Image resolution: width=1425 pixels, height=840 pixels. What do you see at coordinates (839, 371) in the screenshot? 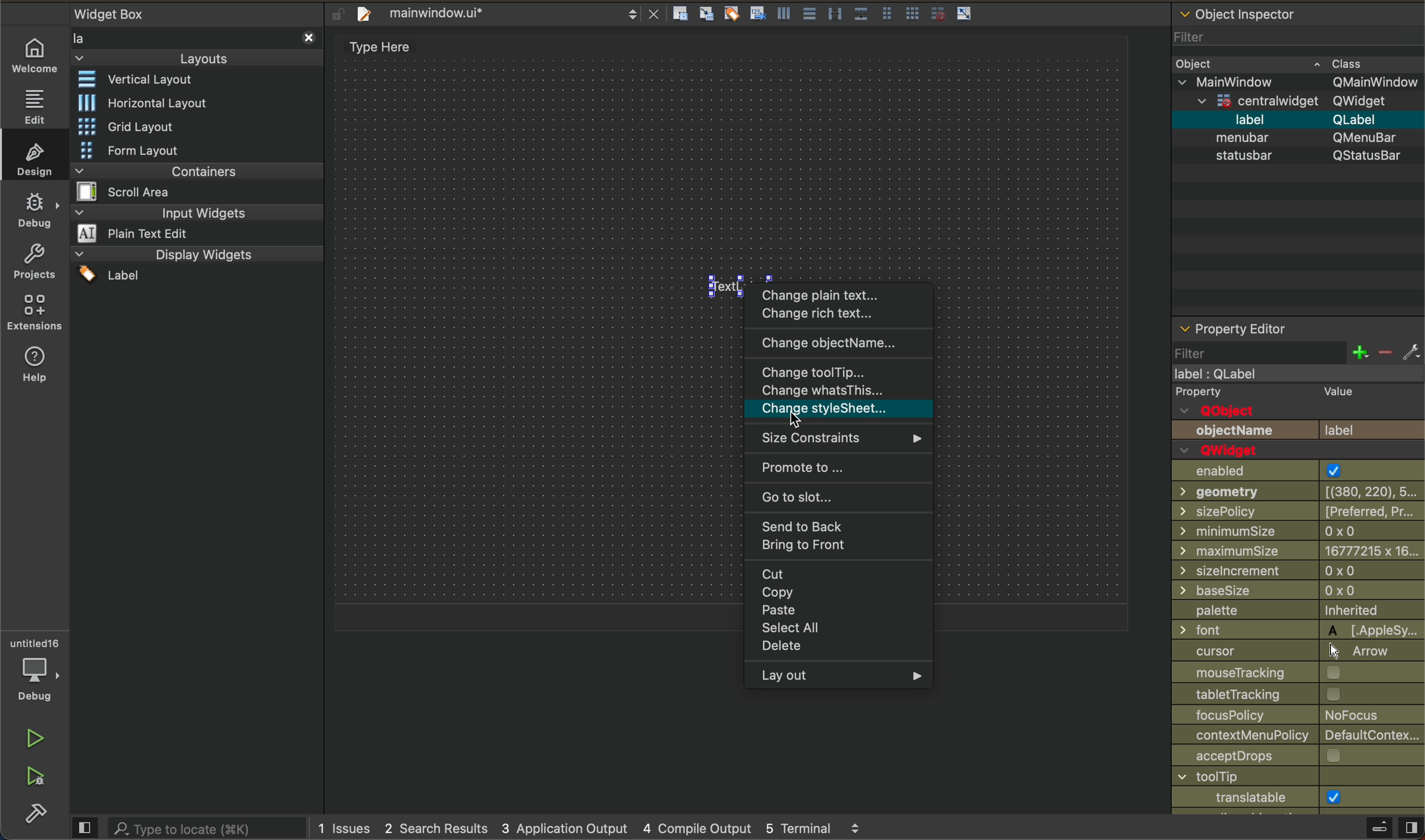
I see `tool tip` at bounding box center [839, 371].